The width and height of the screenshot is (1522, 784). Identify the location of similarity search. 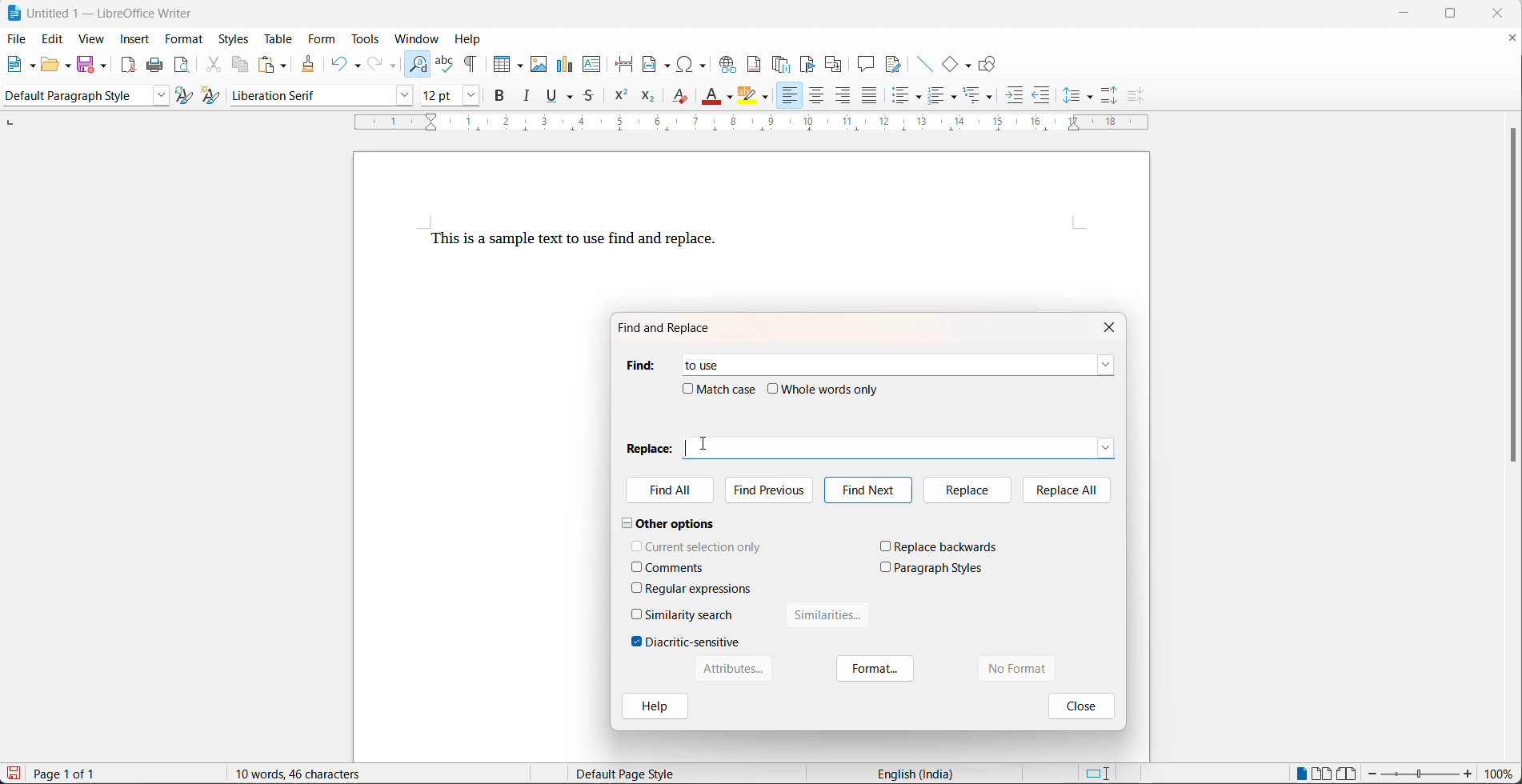
(690, 614).